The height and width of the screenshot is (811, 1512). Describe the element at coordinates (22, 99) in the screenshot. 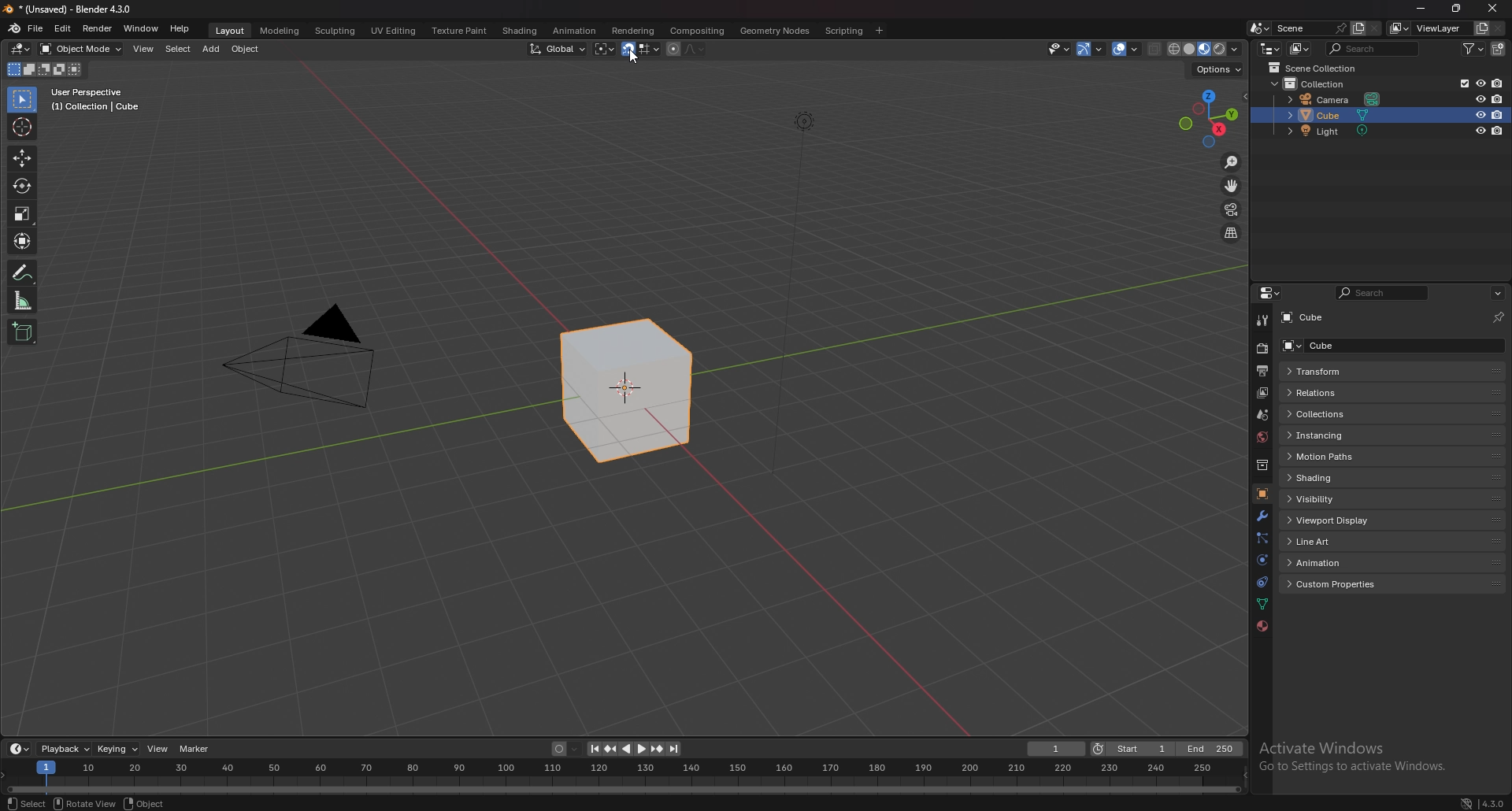

I see `selector` at that location.